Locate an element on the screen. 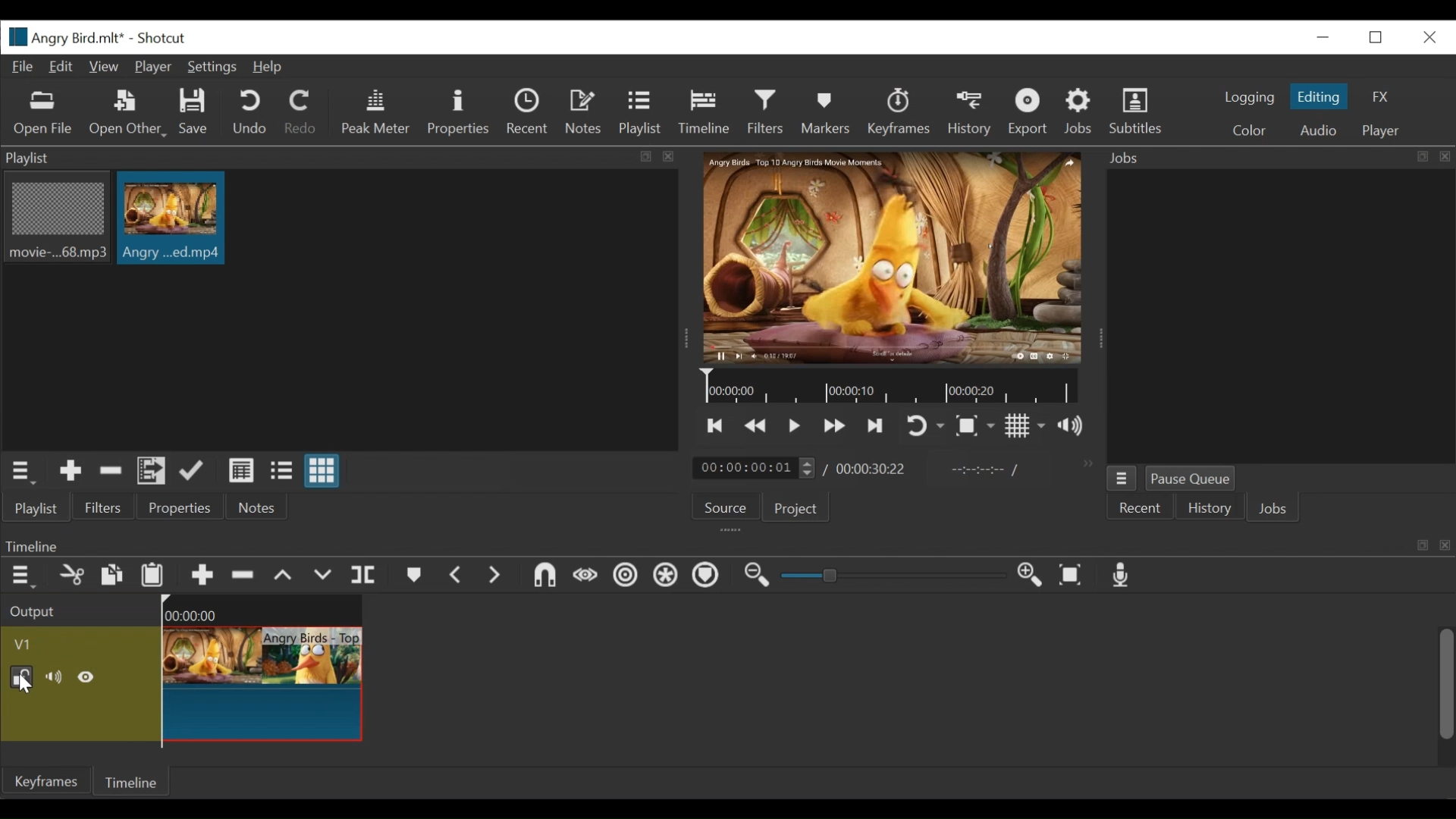  Timeline is located at coordinates (265, 610).